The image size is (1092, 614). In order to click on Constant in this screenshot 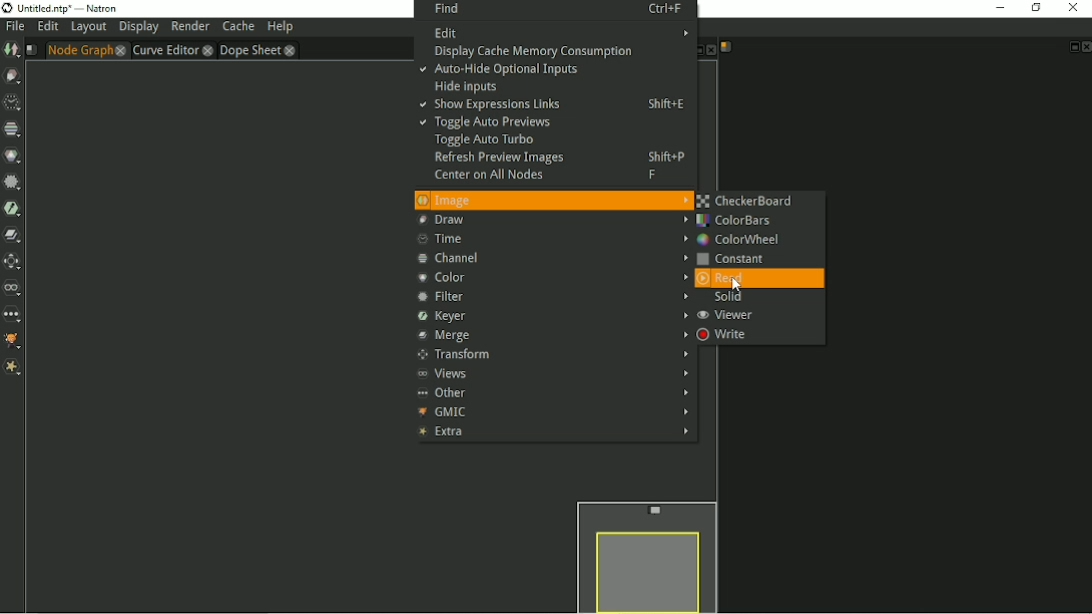, I will do `click(738, 259)`.